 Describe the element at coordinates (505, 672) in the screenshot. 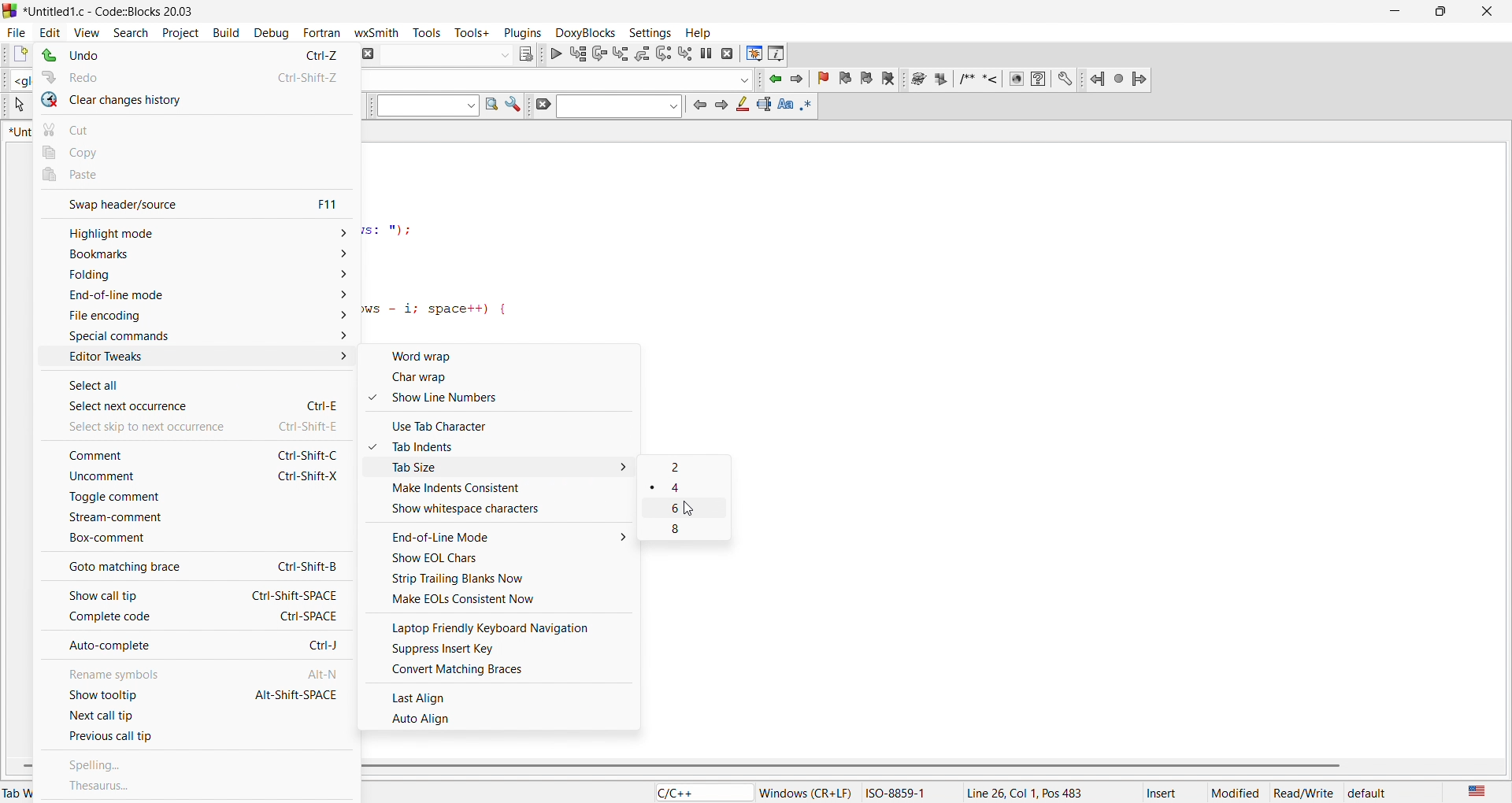

I see `convert matching braces` at that location.